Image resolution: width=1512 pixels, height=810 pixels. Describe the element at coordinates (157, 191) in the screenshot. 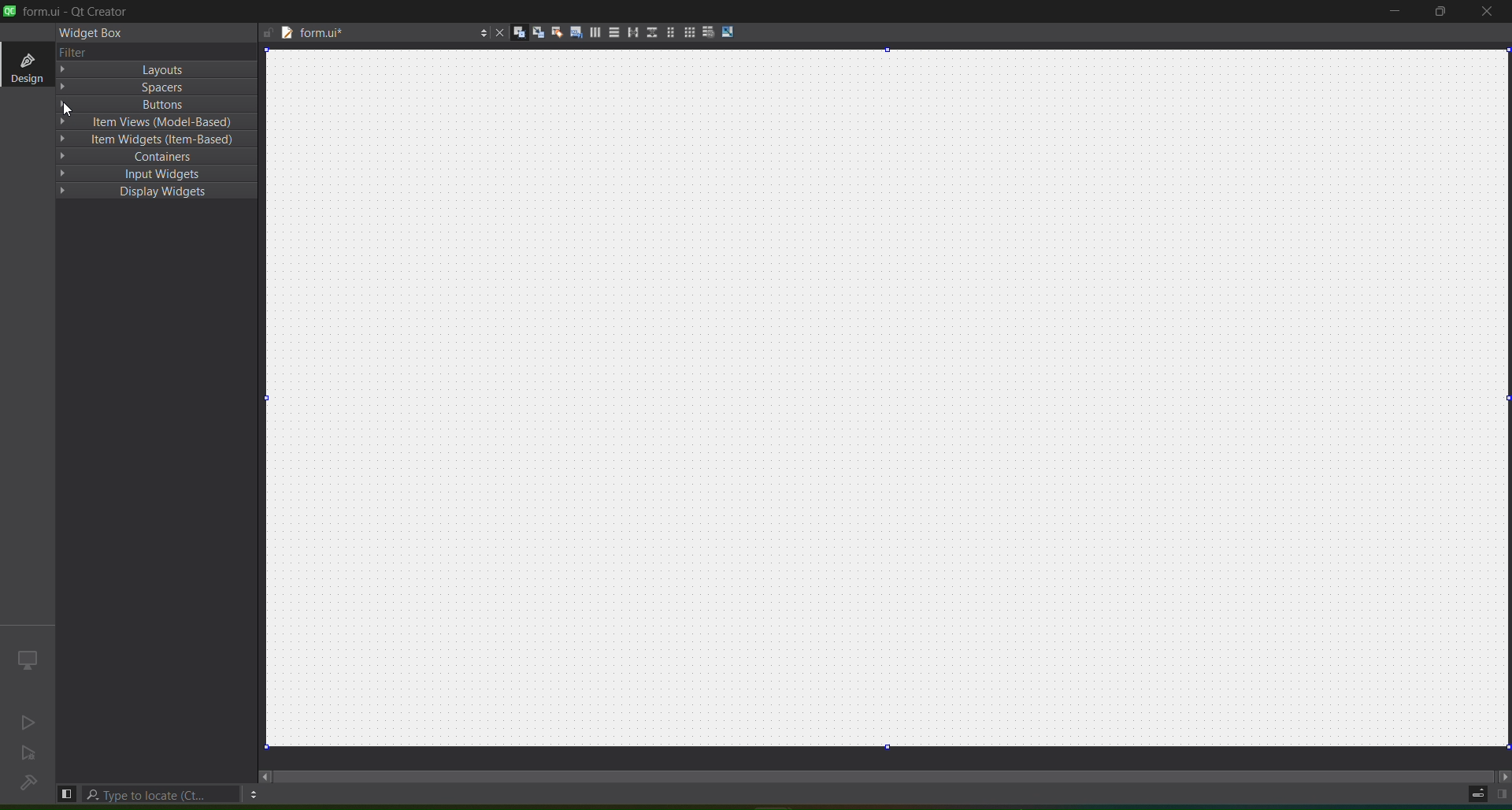

I see `Display Widgets` at that location.